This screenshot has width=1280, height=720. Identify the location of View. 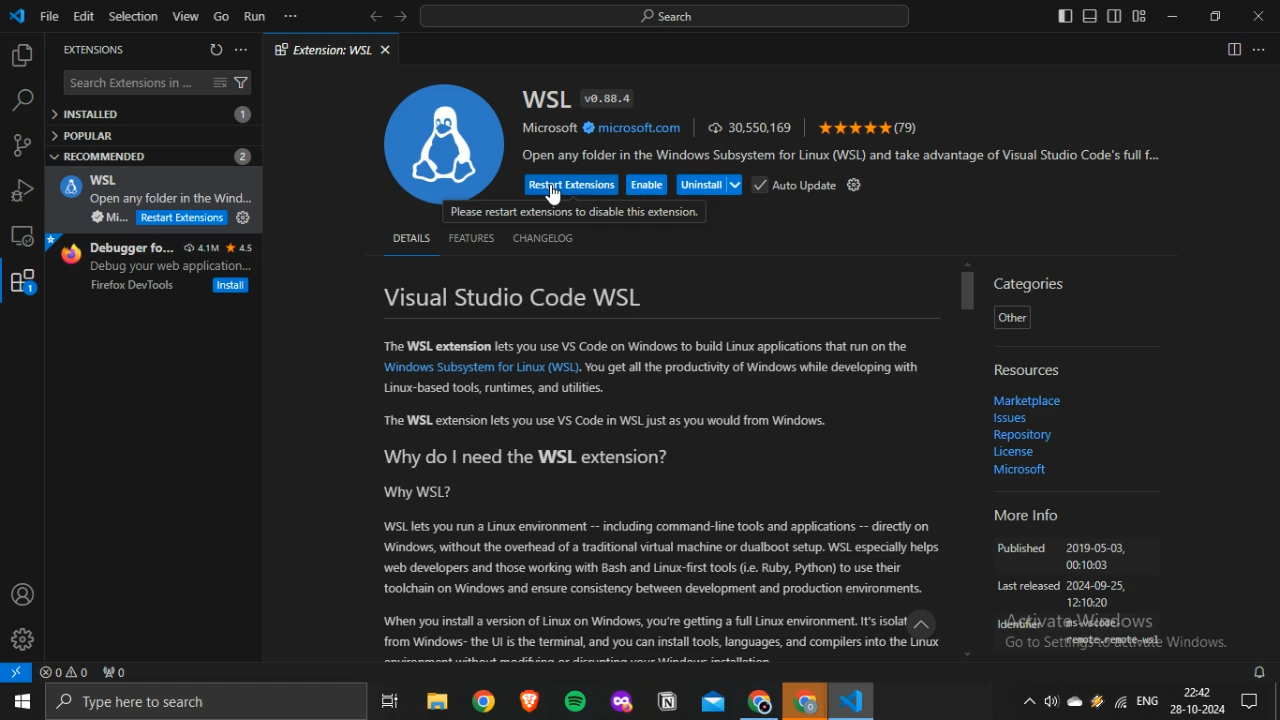
(185, 16).